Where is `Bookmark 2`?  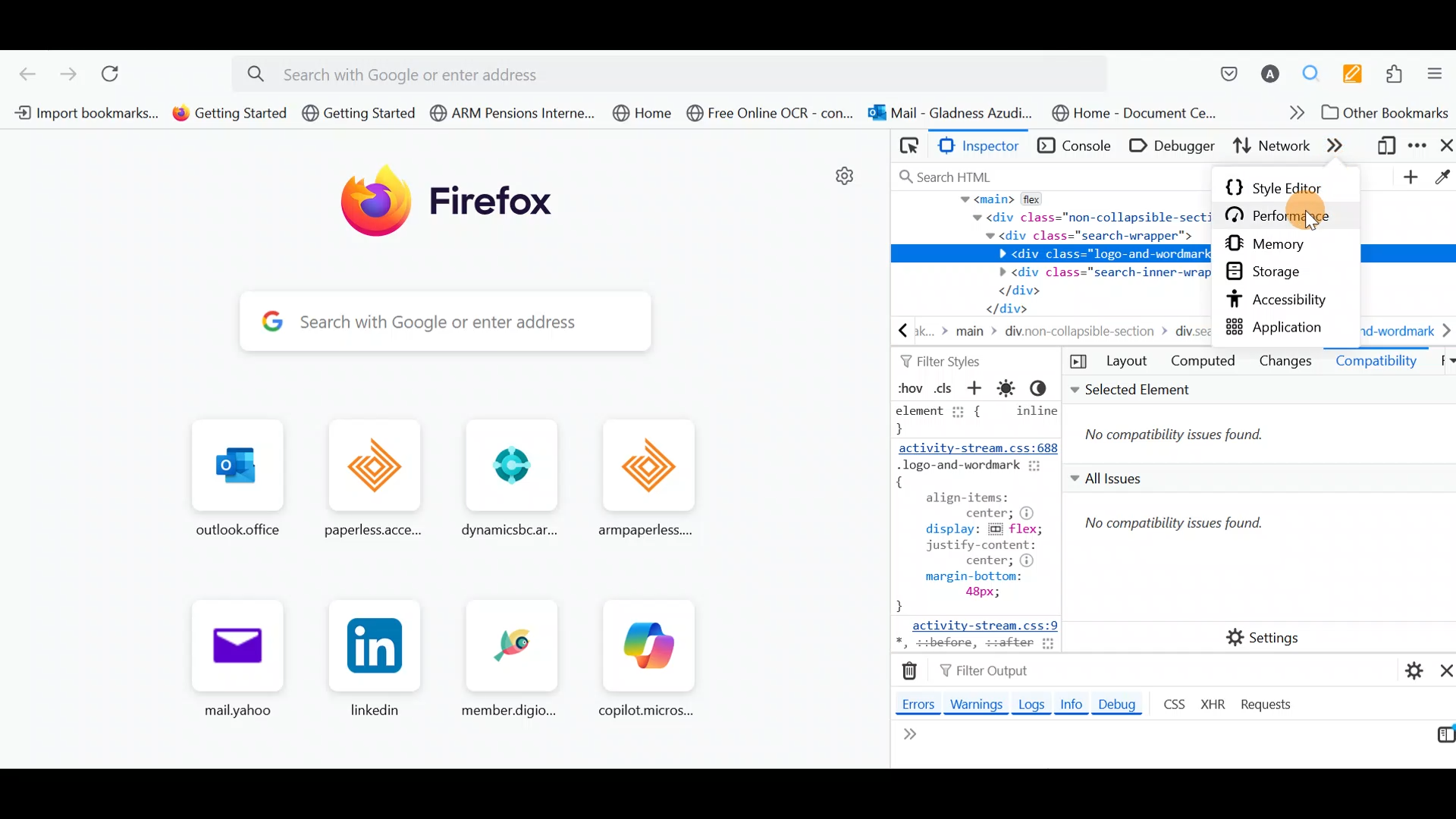
Bookmark 2 is located at coordinates (230, 113).